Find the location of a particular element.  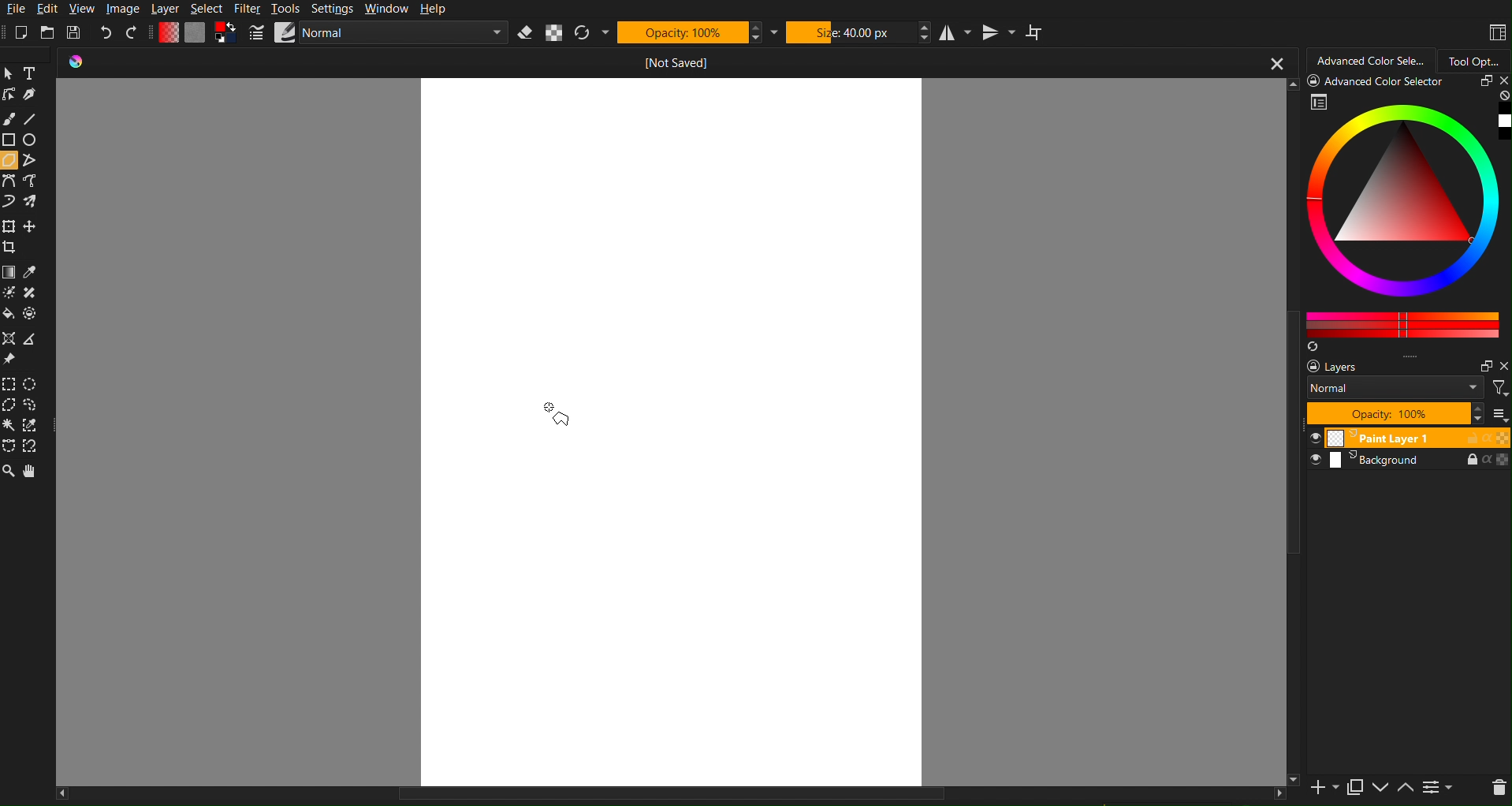

[not saved] is located at coordinates (681, 63).